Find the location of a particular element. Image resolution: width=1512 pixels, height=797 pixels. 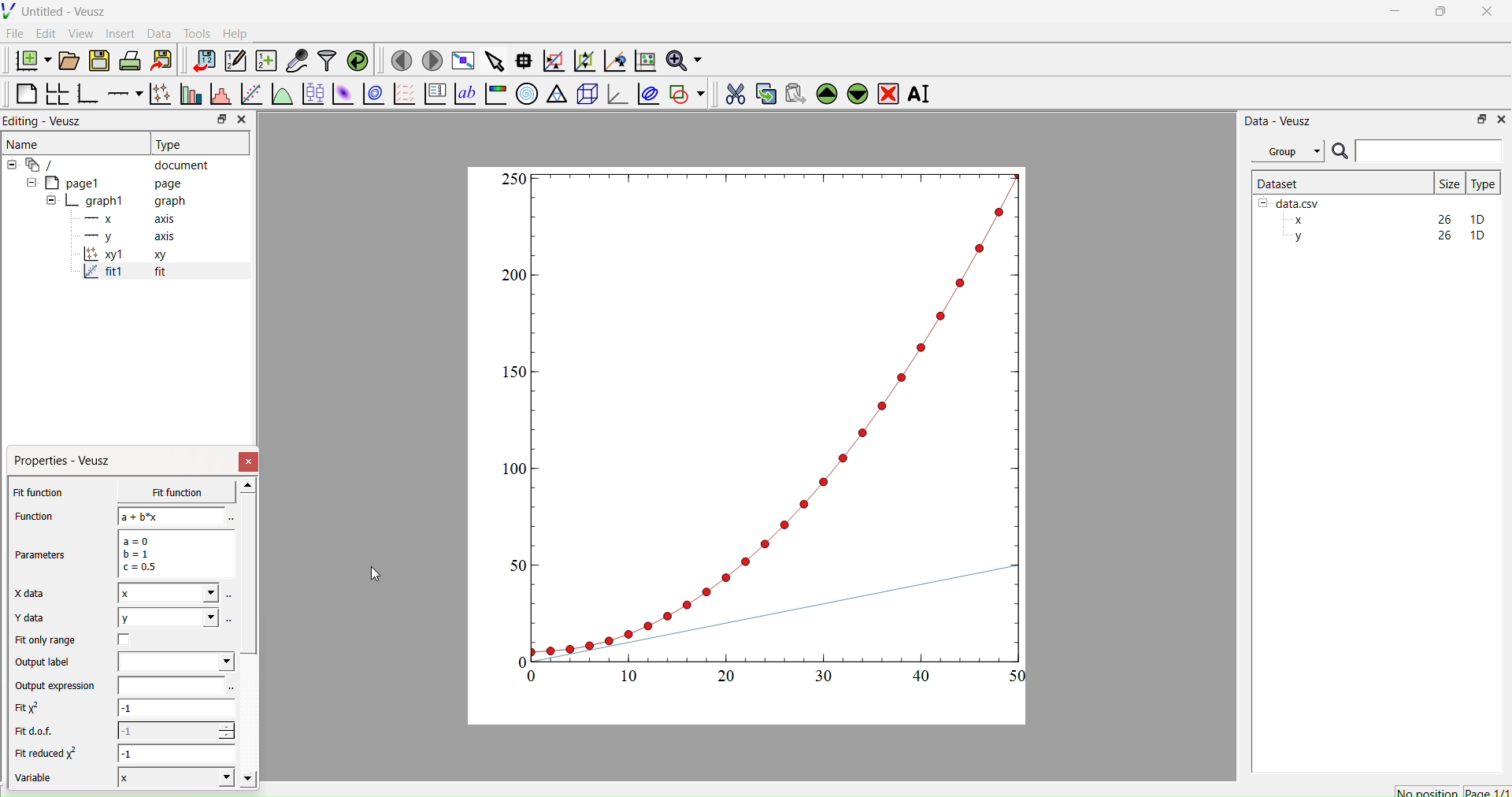

New Document is located at coordinates (29, 58).